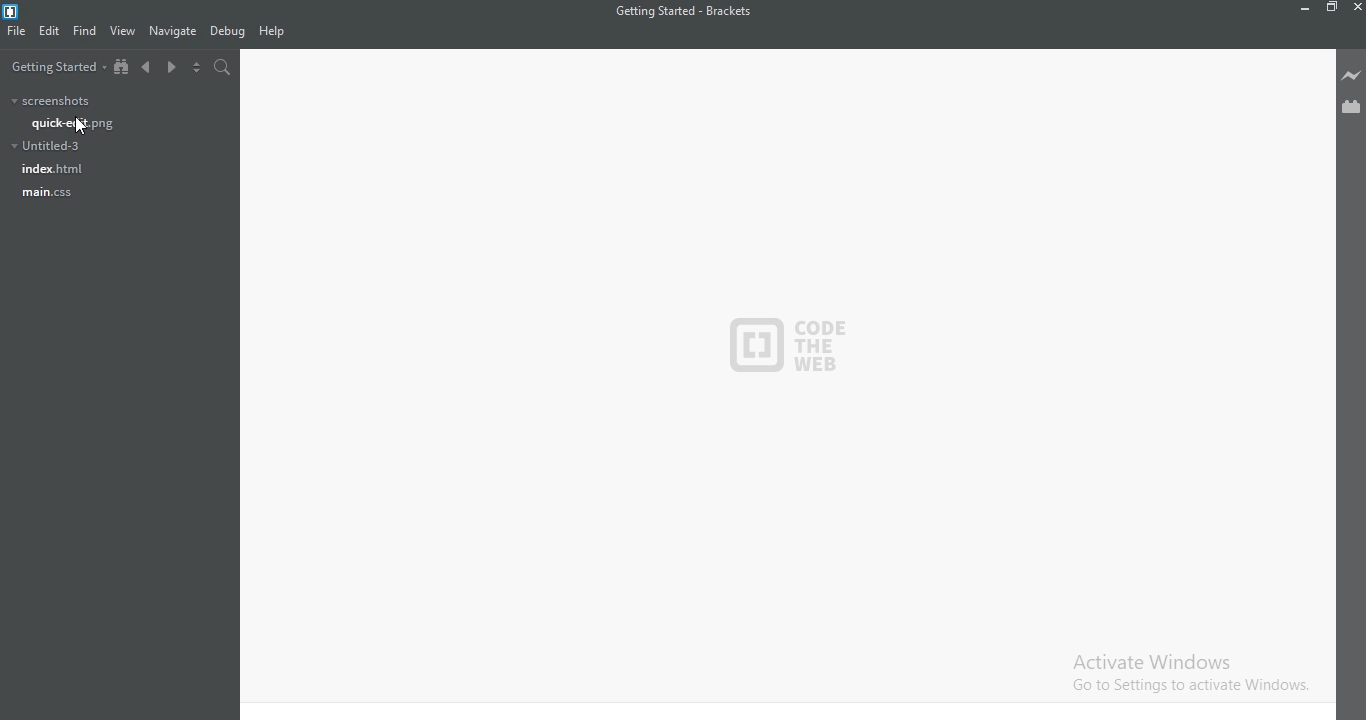  What do you see at coordinates (122, 67) in the screenshot?
I see `show in file tree` at bounding box center [122, 67].